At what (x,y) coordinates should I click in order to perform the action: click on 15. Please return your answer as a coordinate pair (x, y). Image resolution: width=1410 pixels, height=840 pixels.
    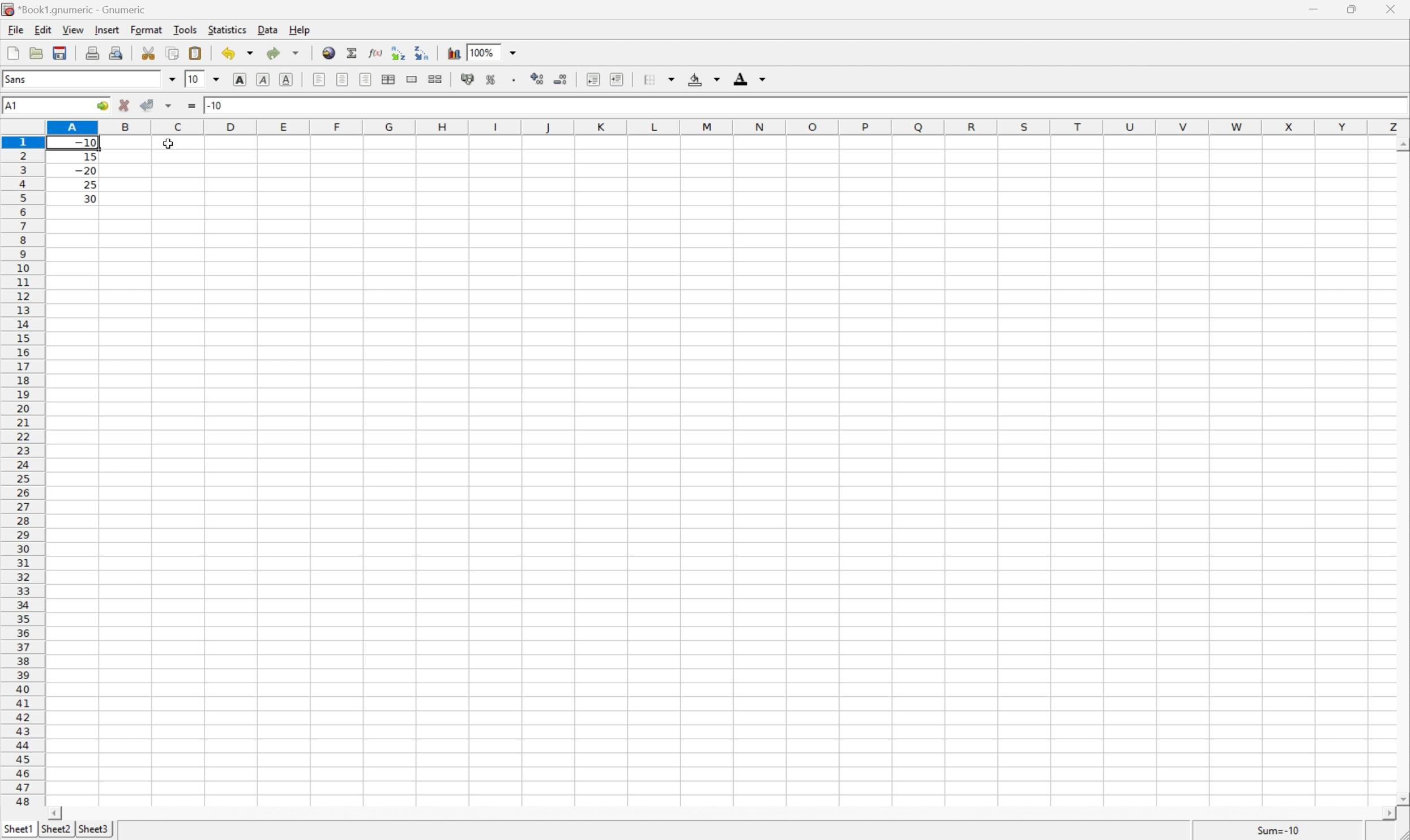
    Looking at the image, I should click on (87, 155).